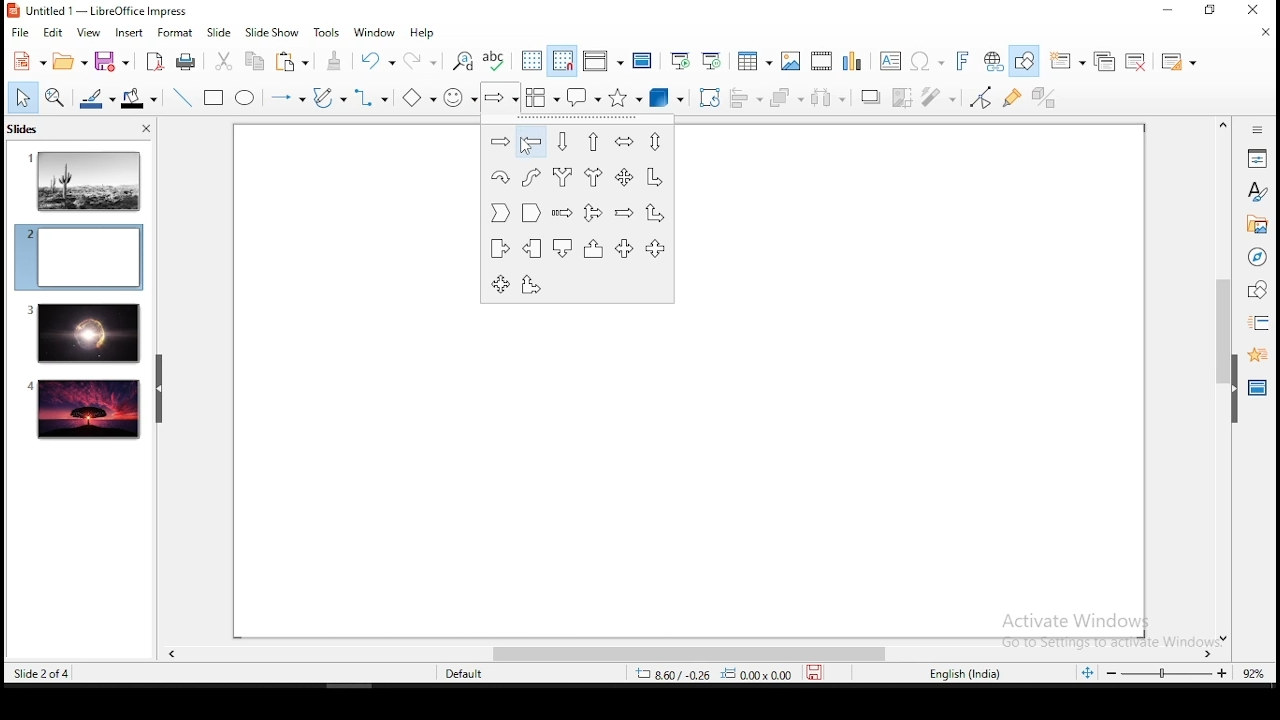  What do you see at coordinates (855, 62) in the screenshot?
I see `charts` at bounding box center [855, 62].